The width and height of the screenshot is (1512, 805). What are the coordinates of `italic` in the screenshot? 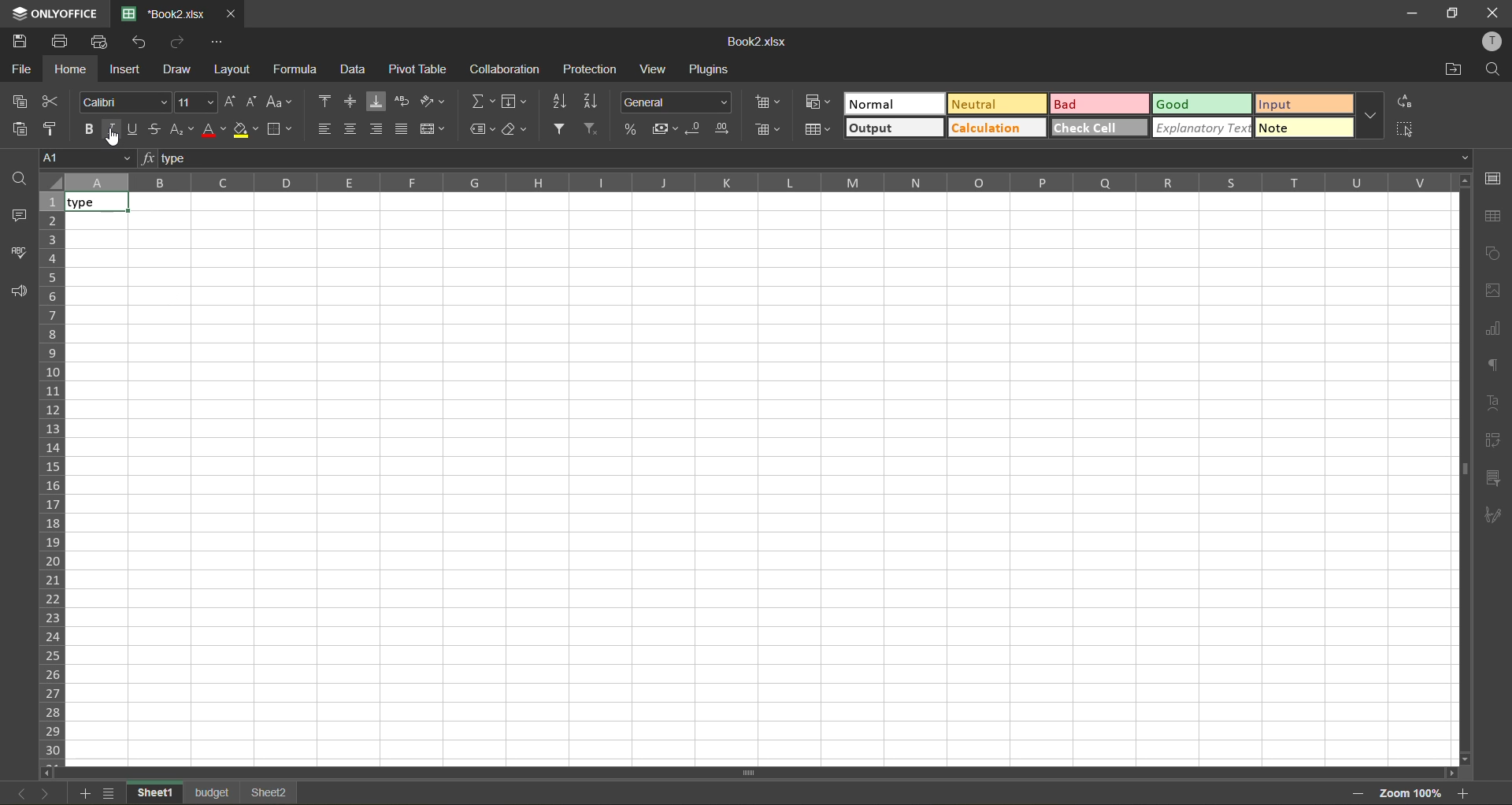 It's located at (113, 129).